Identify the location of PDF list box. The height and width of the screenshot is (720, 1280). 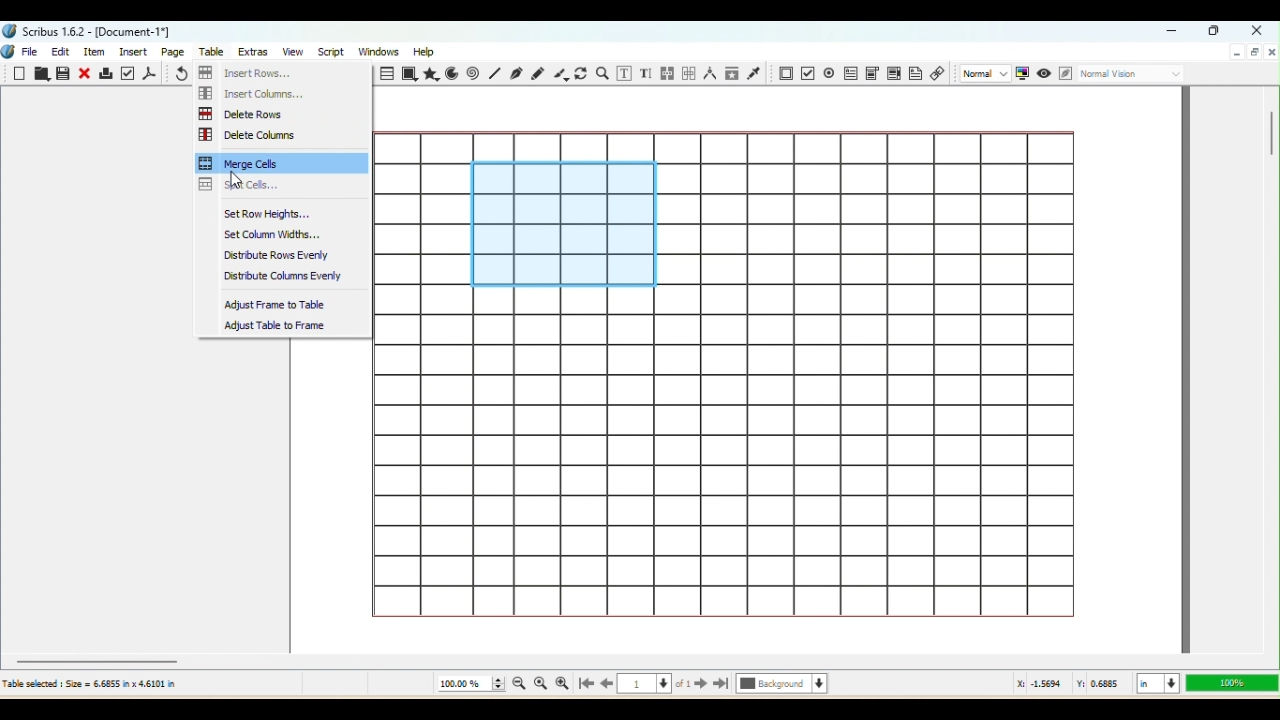
(893, 74).